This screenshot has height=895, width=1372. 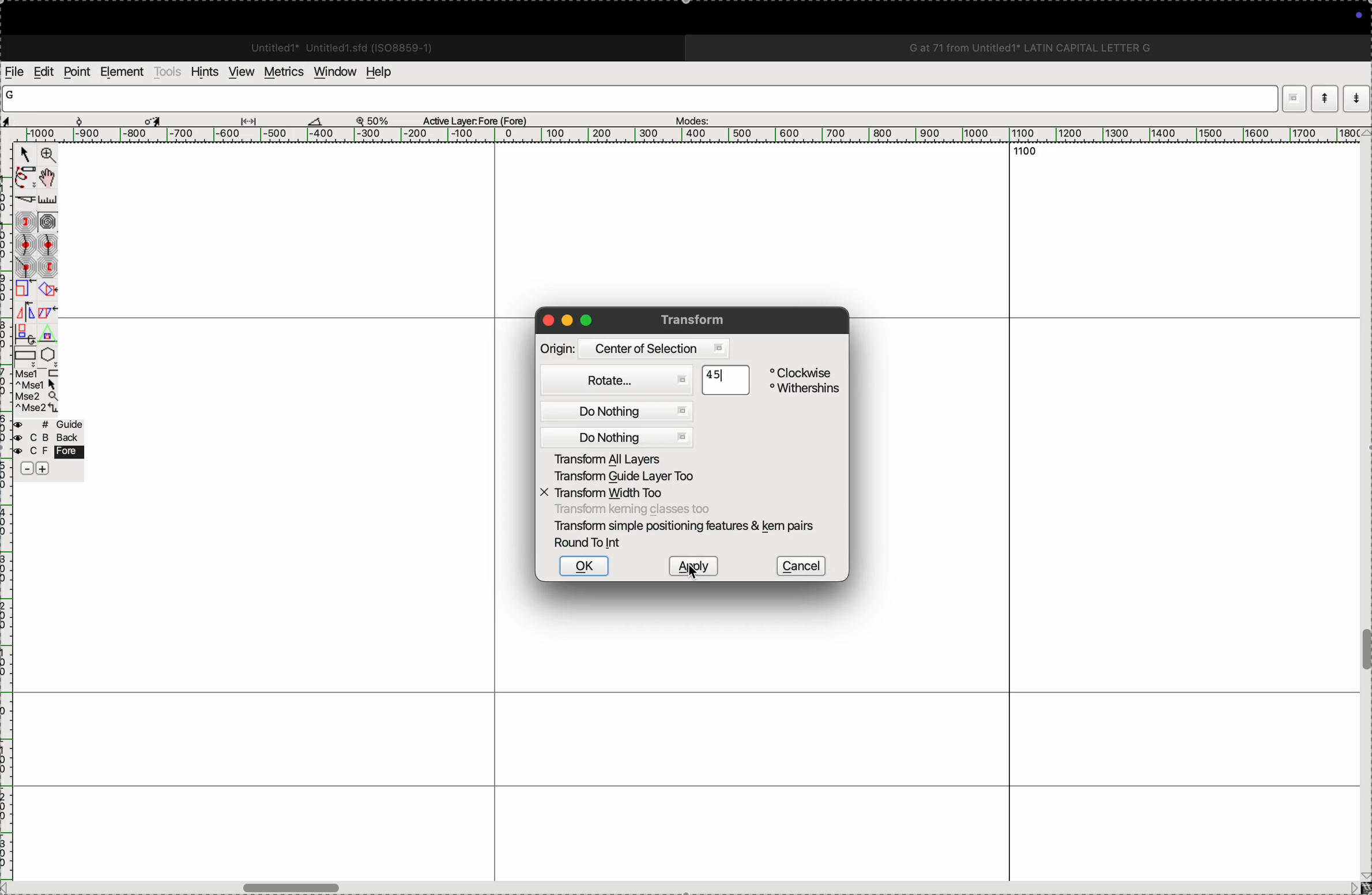 What do you see at coordinates (694, 320) in the screenshot?
I see `Transform` at bounding box center [694, 320].